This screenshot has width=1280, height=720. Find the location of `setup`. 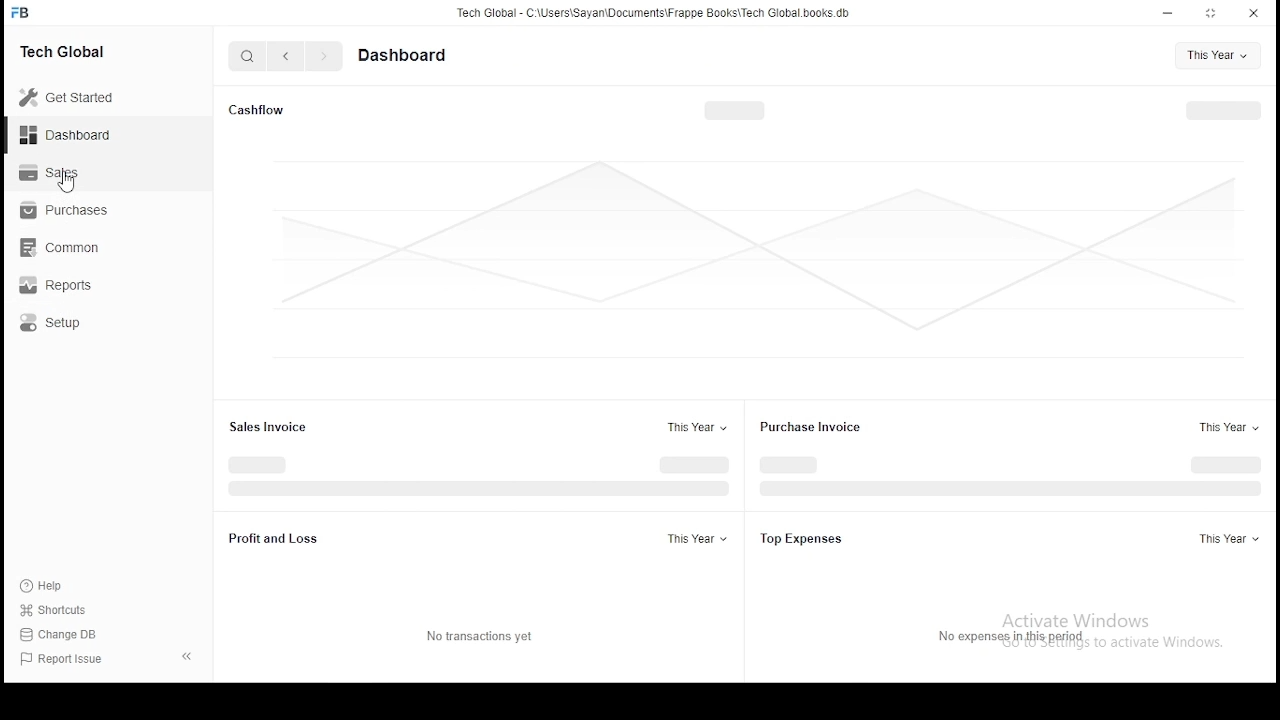

setup is located at coordinates (65, 322).